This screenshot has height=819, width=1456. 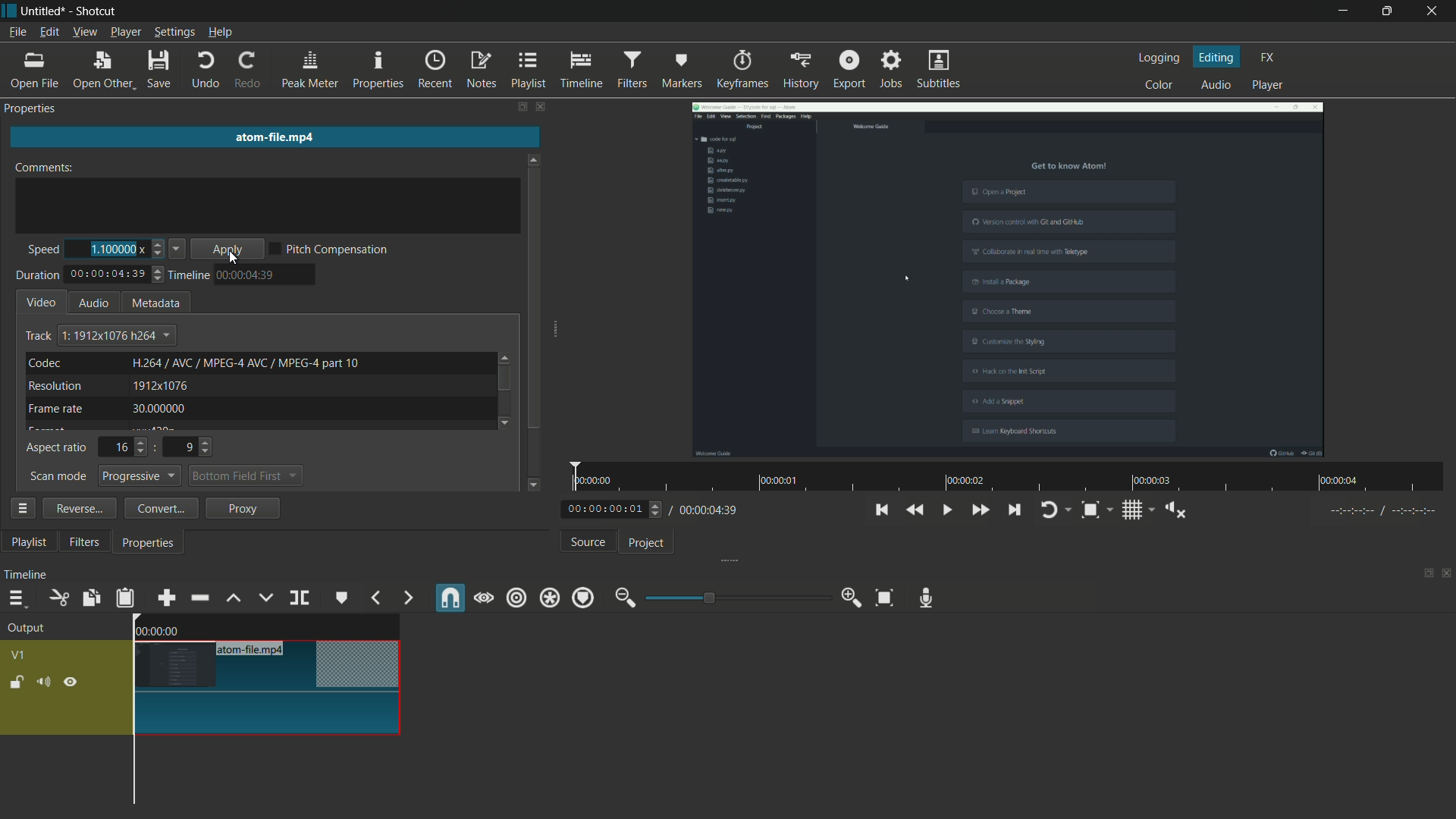 I want to click on skip to the next point, so click(x=1013, y=509).